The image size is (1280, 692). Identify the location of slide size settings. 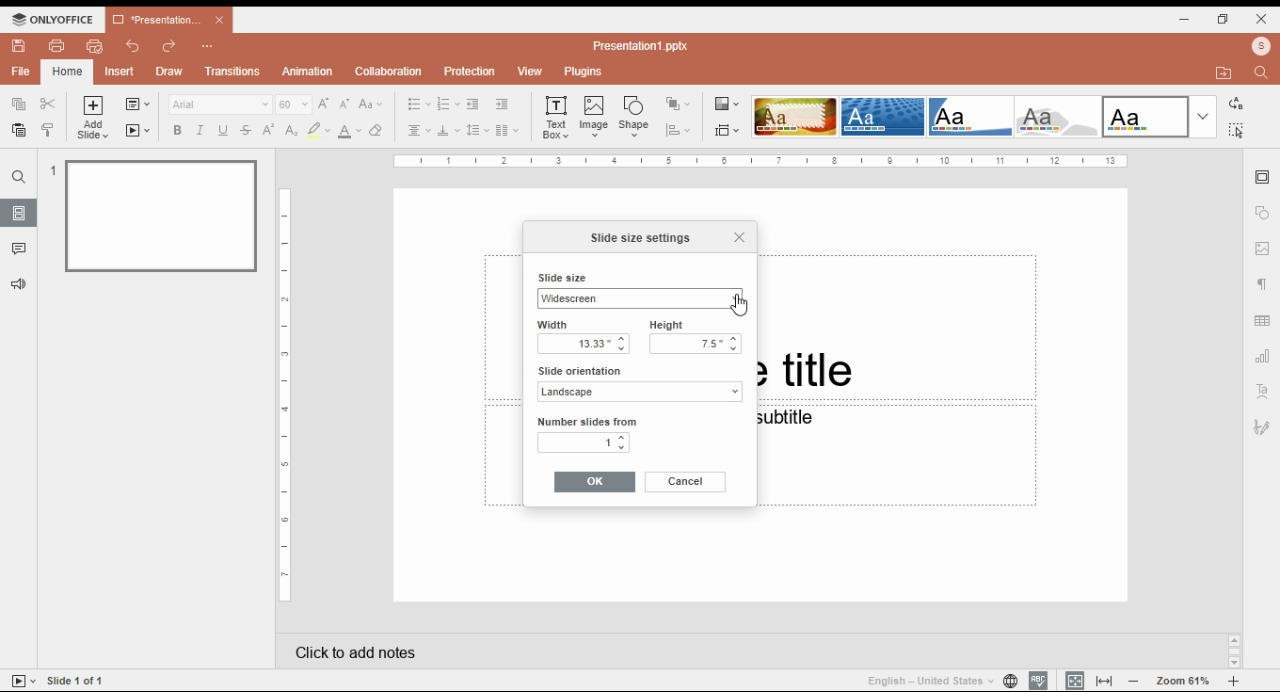
(640, 238).